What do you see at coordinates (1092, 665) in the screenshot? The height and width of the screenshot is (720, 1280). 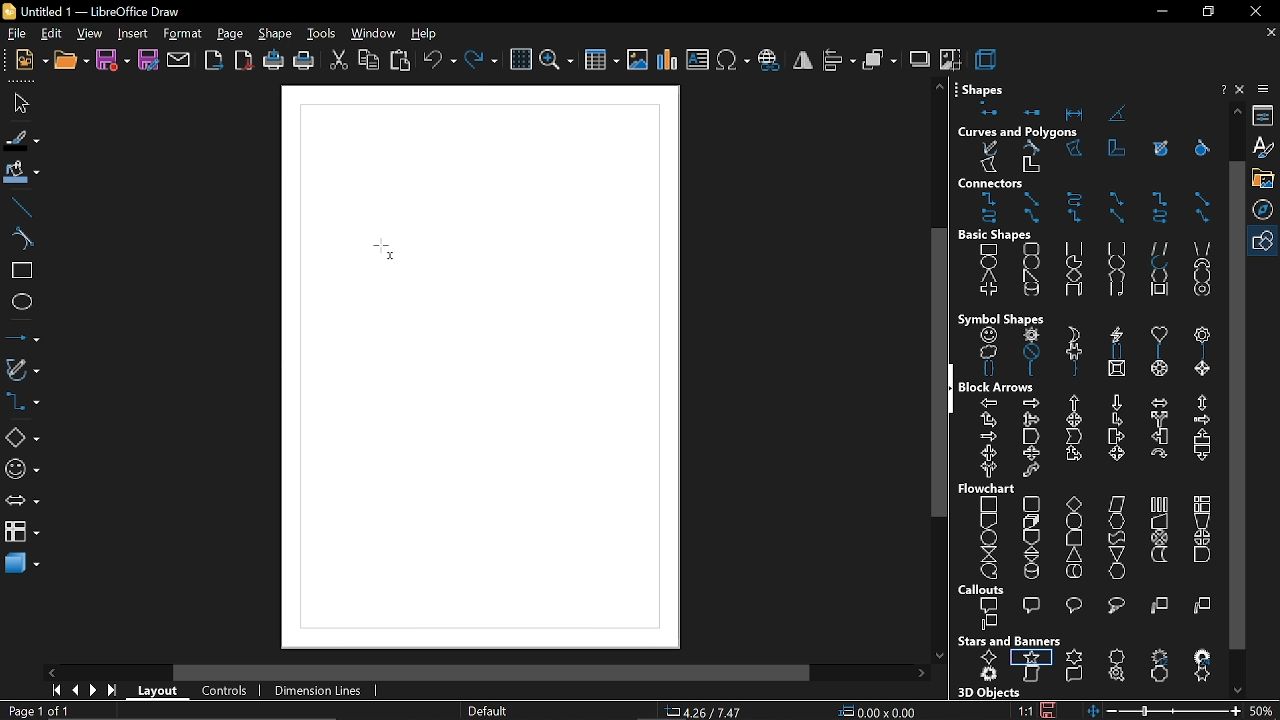 I see `stars and banners` at bounding box center [1092, 665].